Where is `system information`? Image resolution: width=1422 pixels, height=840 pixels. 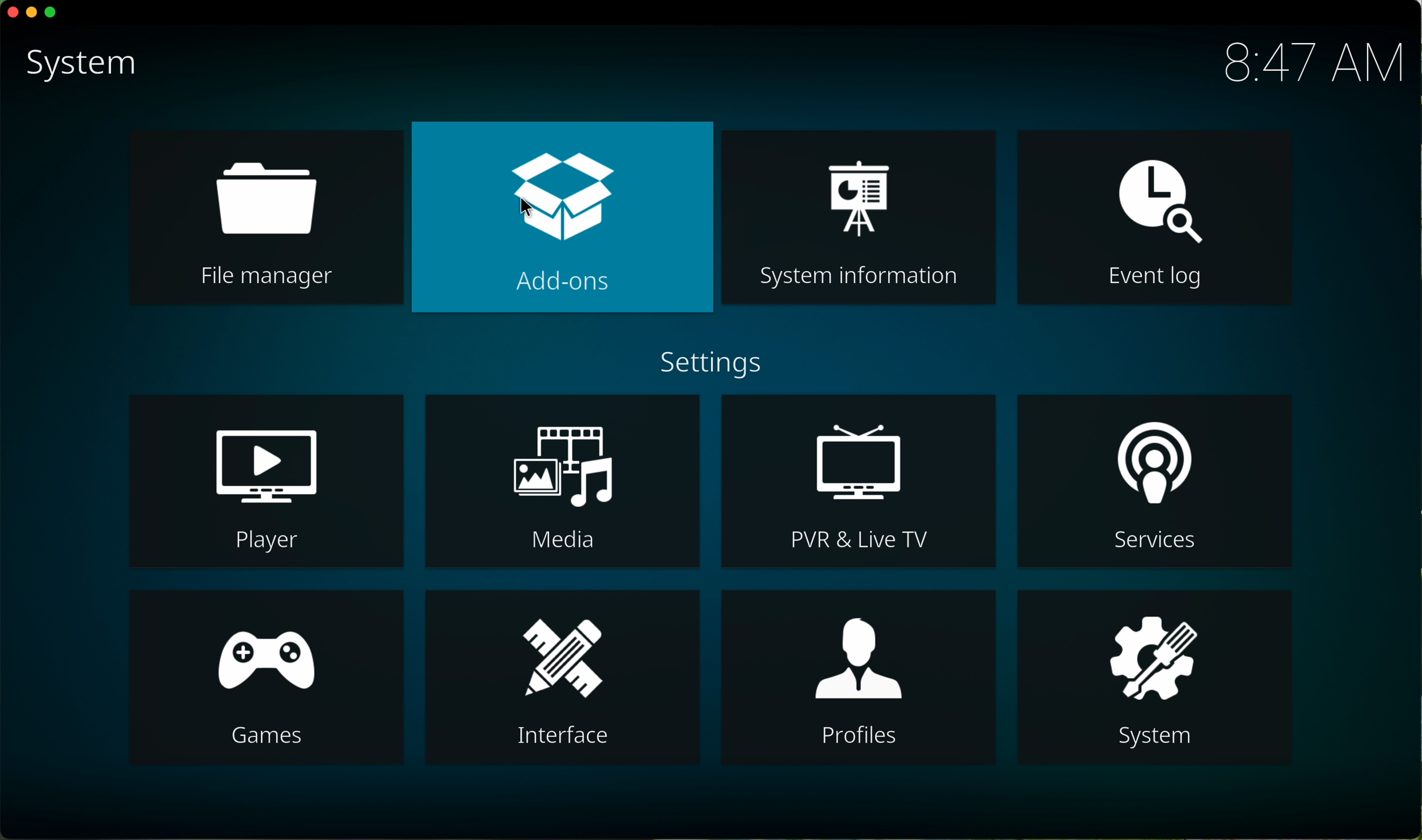 system information is located at coordinates (860, 217).